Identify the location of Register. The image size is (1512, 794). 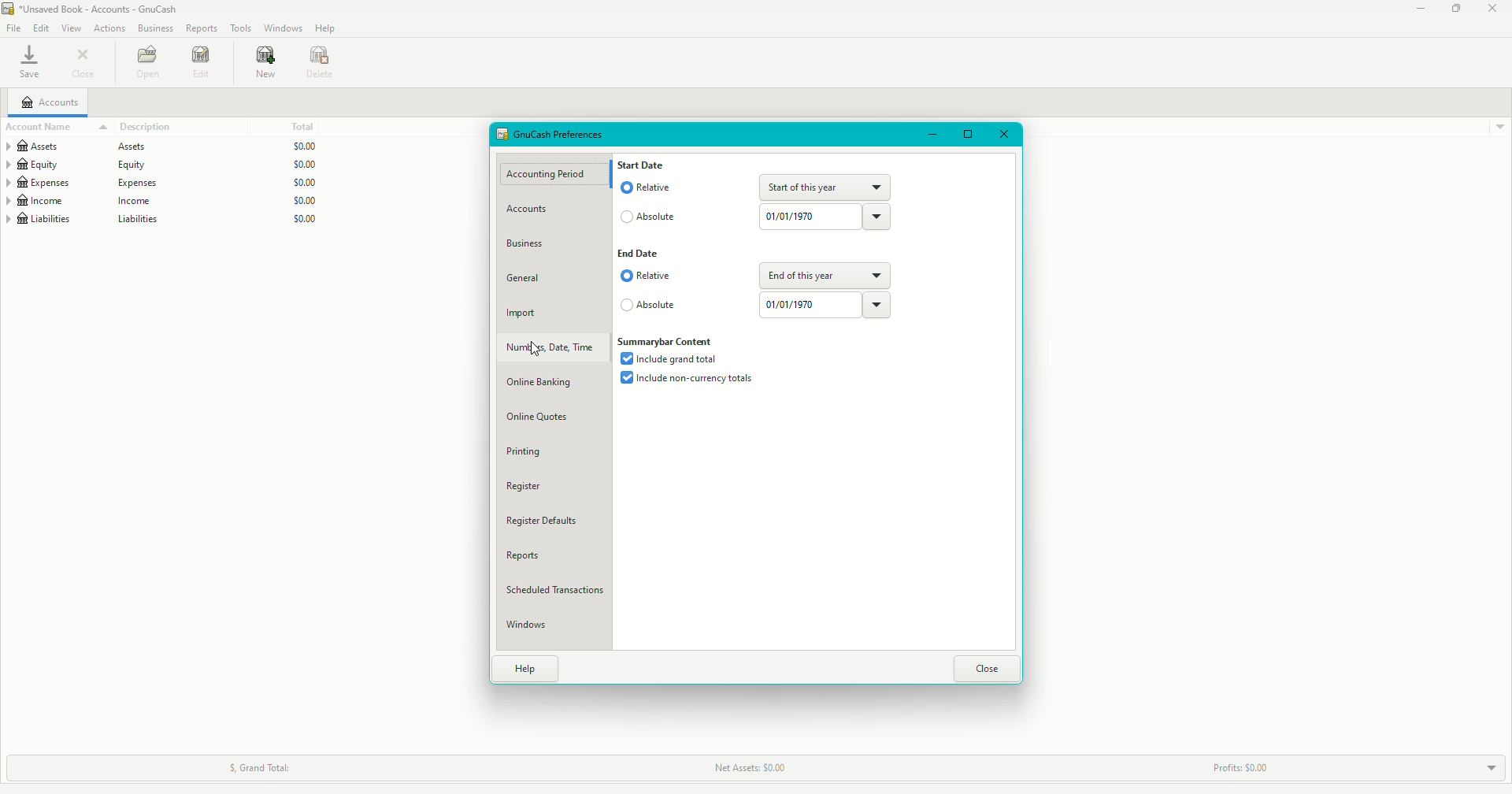
(535, 487).